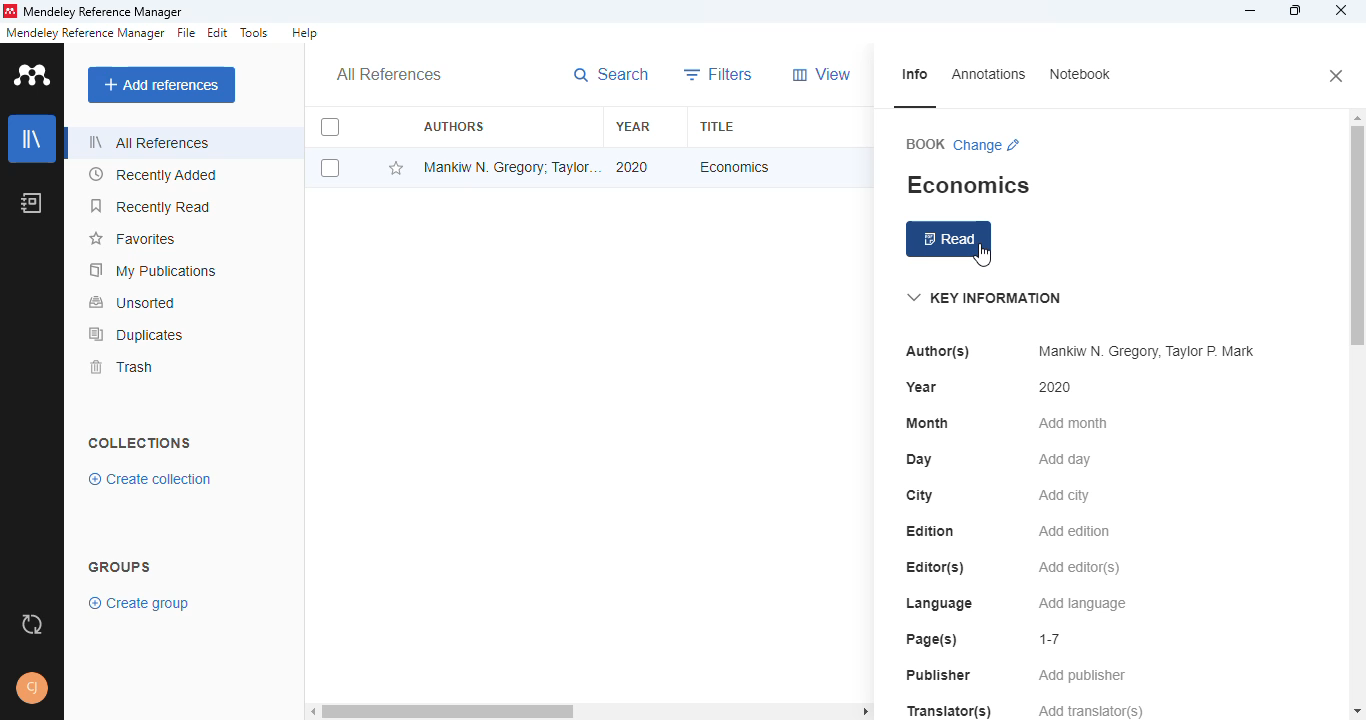 The width and height of the screenshot is (1366, 720). Describe the element at coordinates (1083, 676) in the screenshot. I see `add publisher` at that location.